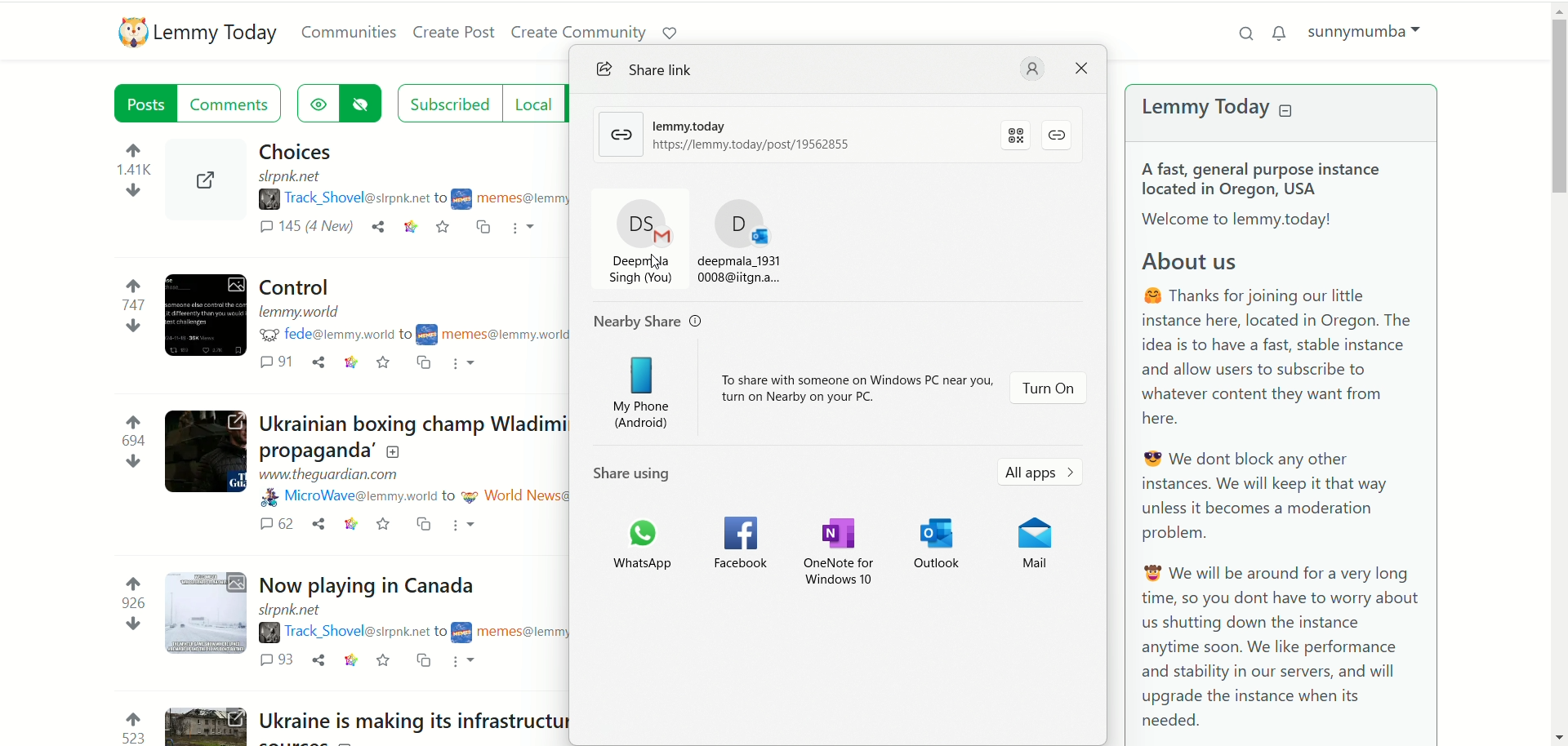  Describe the element at coordinates (1017, 135) in the screenshot. I see `QR code` at that location.